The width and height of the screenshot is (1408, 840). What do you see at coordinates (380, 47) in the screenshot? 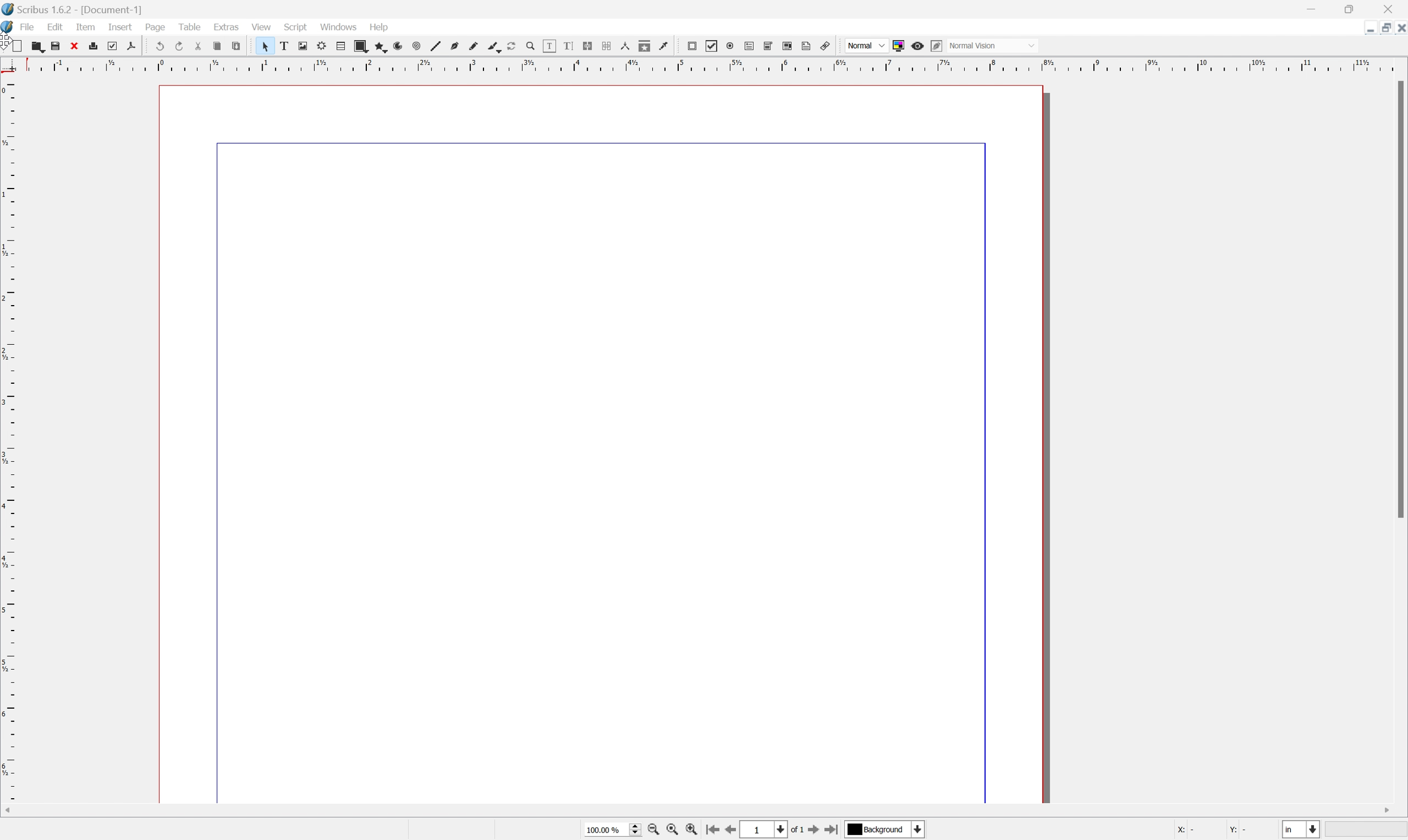
I see `polygon` at bounding box center [380, 47].